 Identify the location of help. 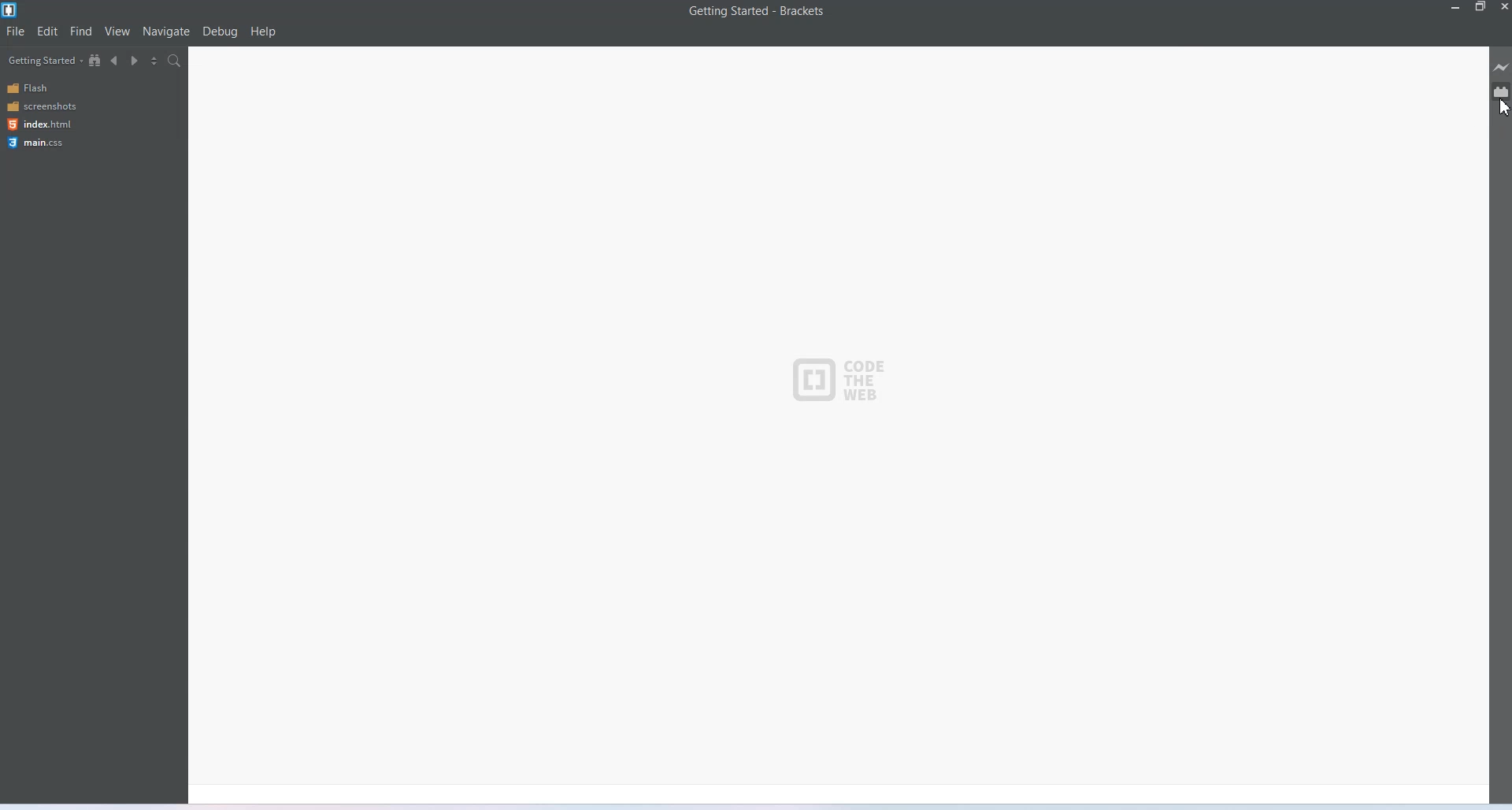
(264, 32).